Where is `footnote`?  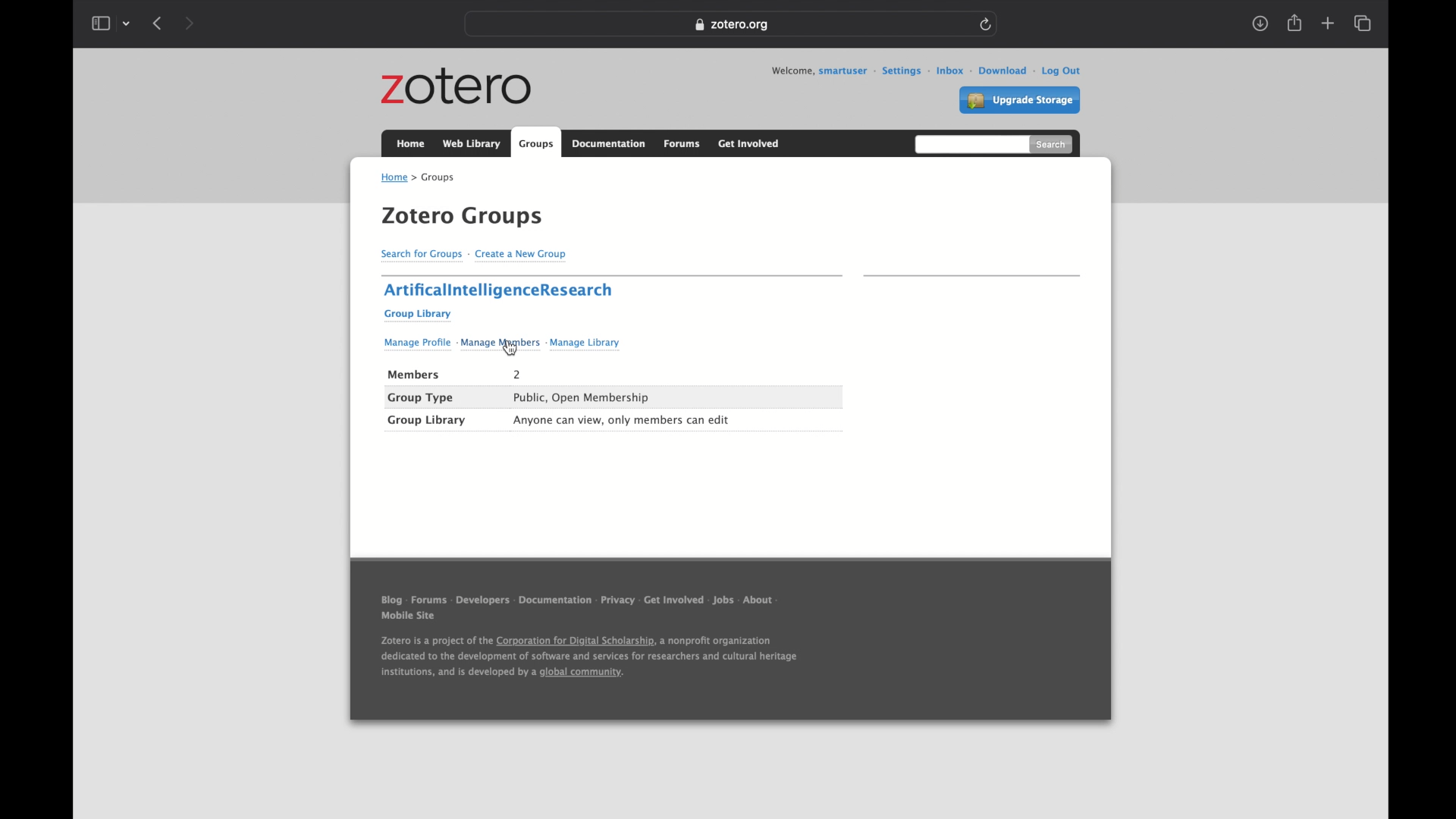
footnote is located at coordinates (588, 657).